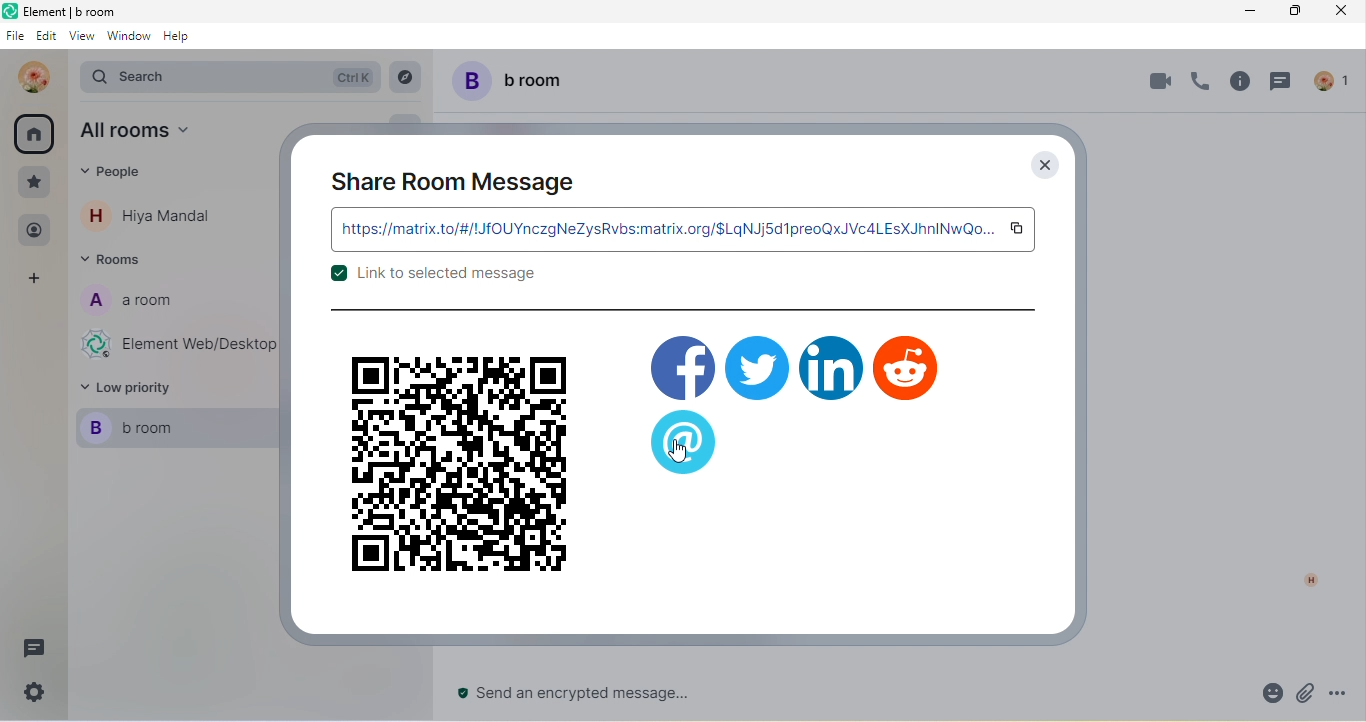 The width and height of the screenshot is (1366, 722). Describe the element at coordinates (35, 133) in the screenshot. I see `all room` at that location.